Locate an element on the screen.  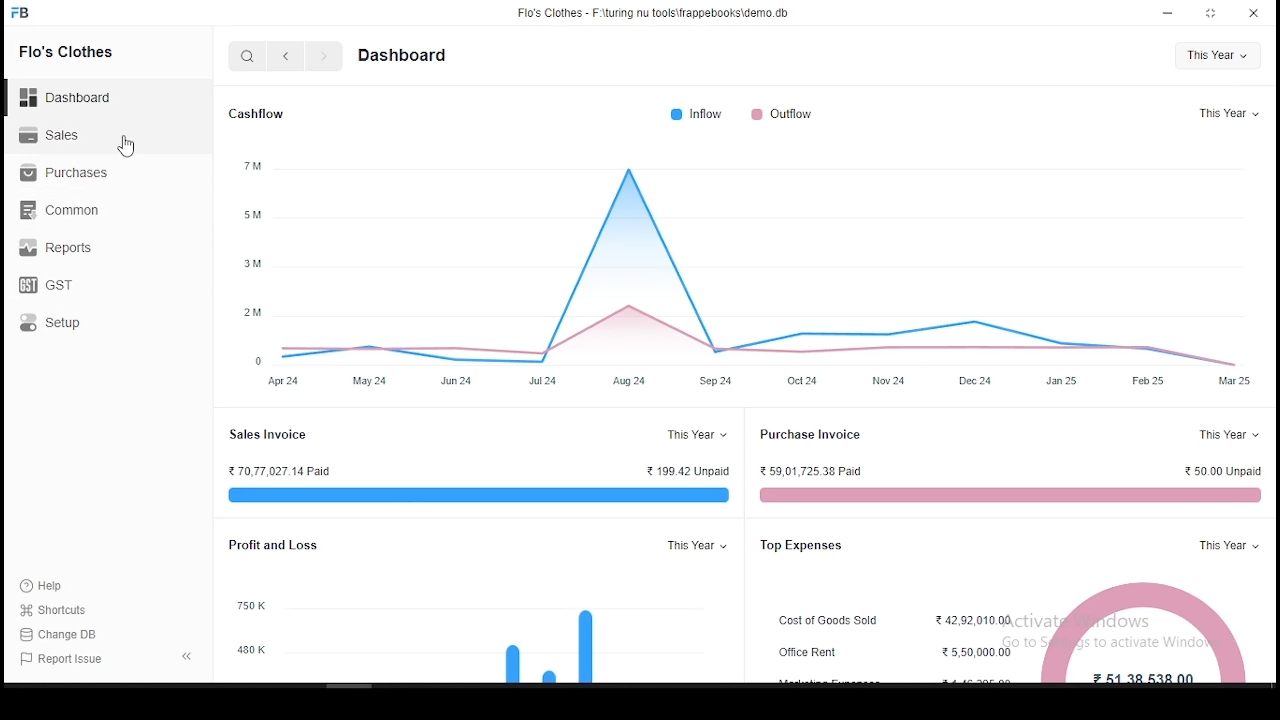
this year is located at coordinates (691, 547).